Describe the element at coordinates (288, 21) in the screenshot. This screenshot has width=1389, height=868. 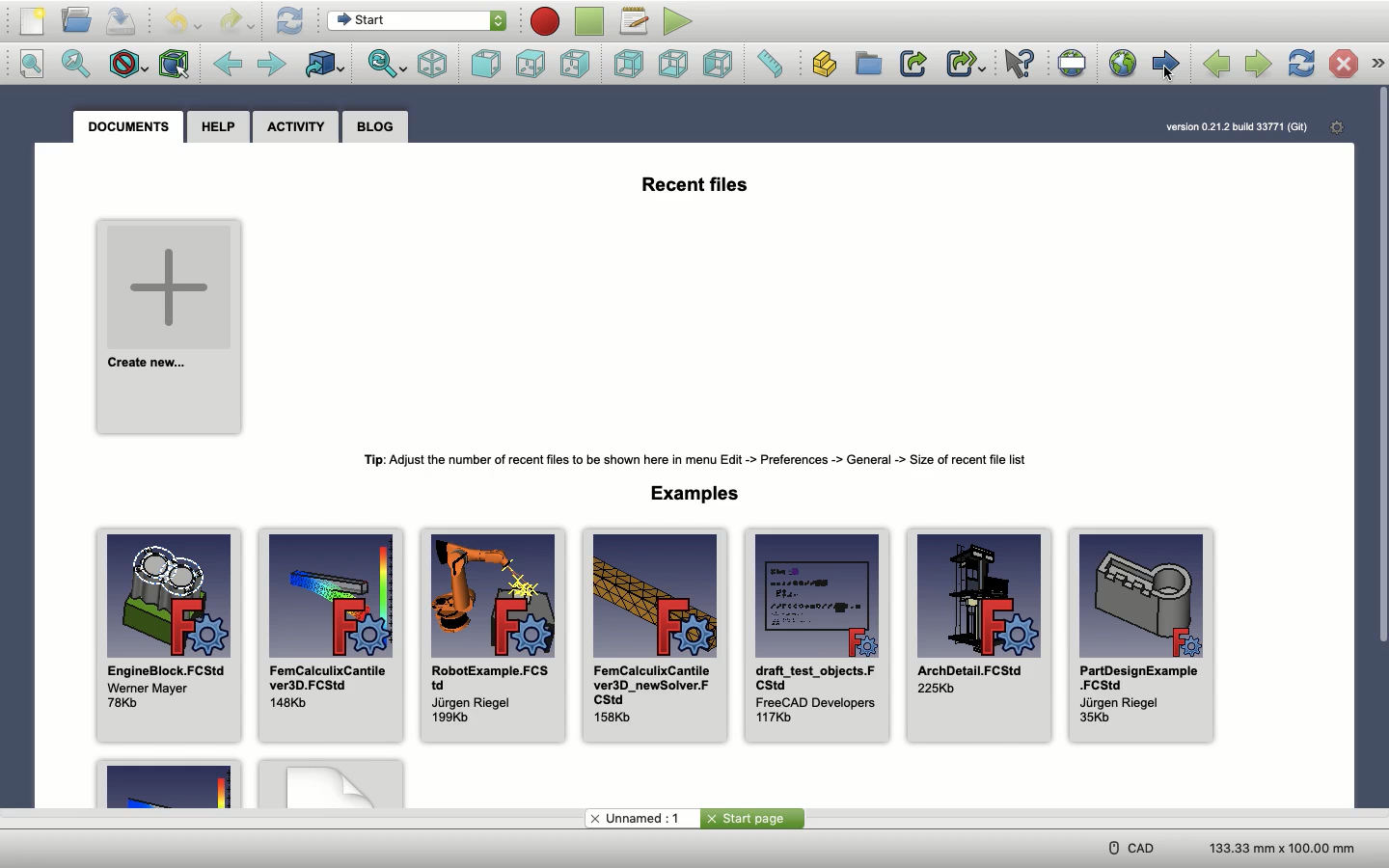
I see `Refresh` at that location.